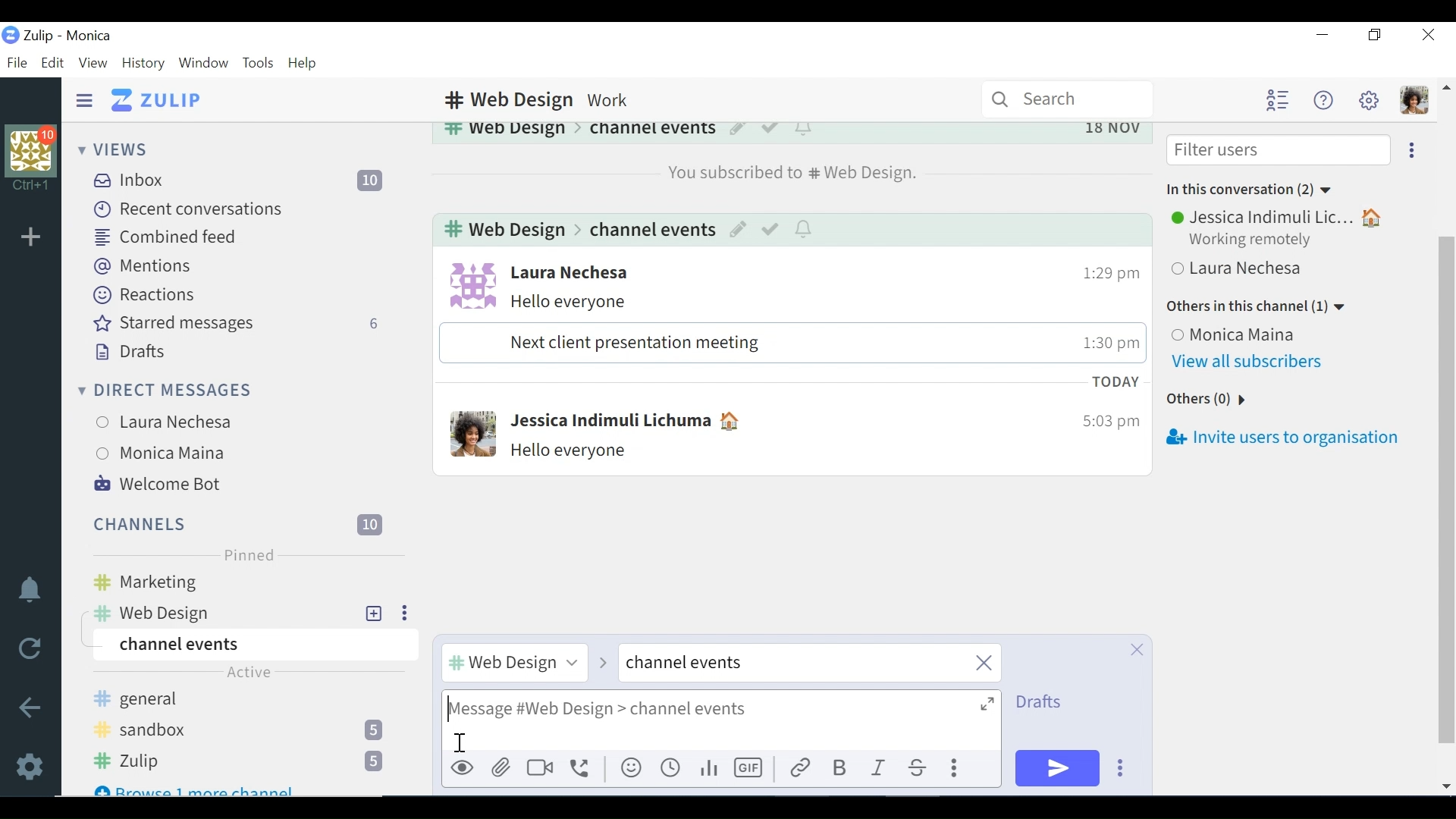 Image resolution: width=1456 pixels, height=819 pixels. I want to click on Strikethrough, so click(918, 769).